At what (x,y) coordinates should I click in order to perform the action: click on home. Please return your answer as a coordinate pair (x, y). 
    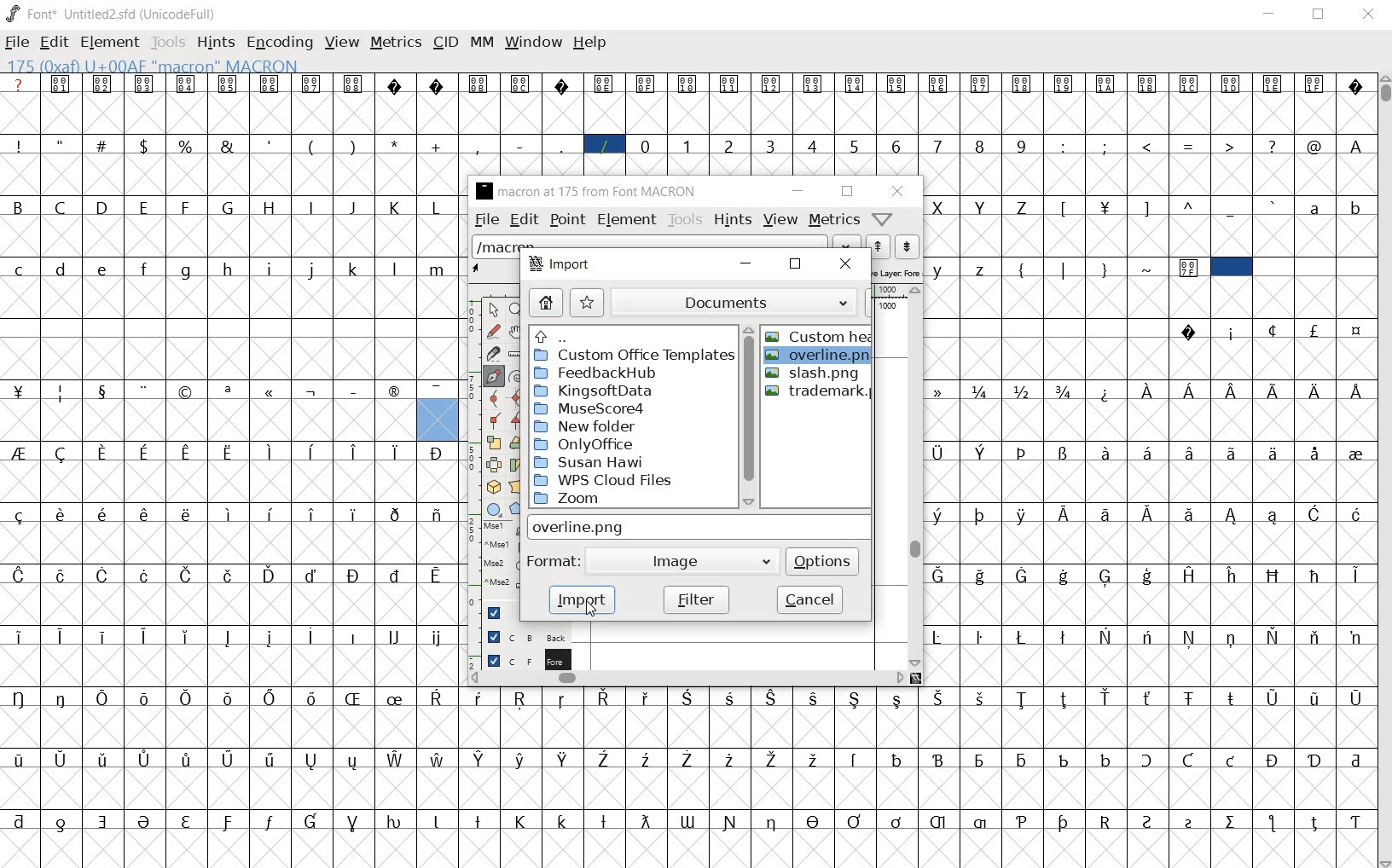
    Looking at the image, I should click on (546, 304).